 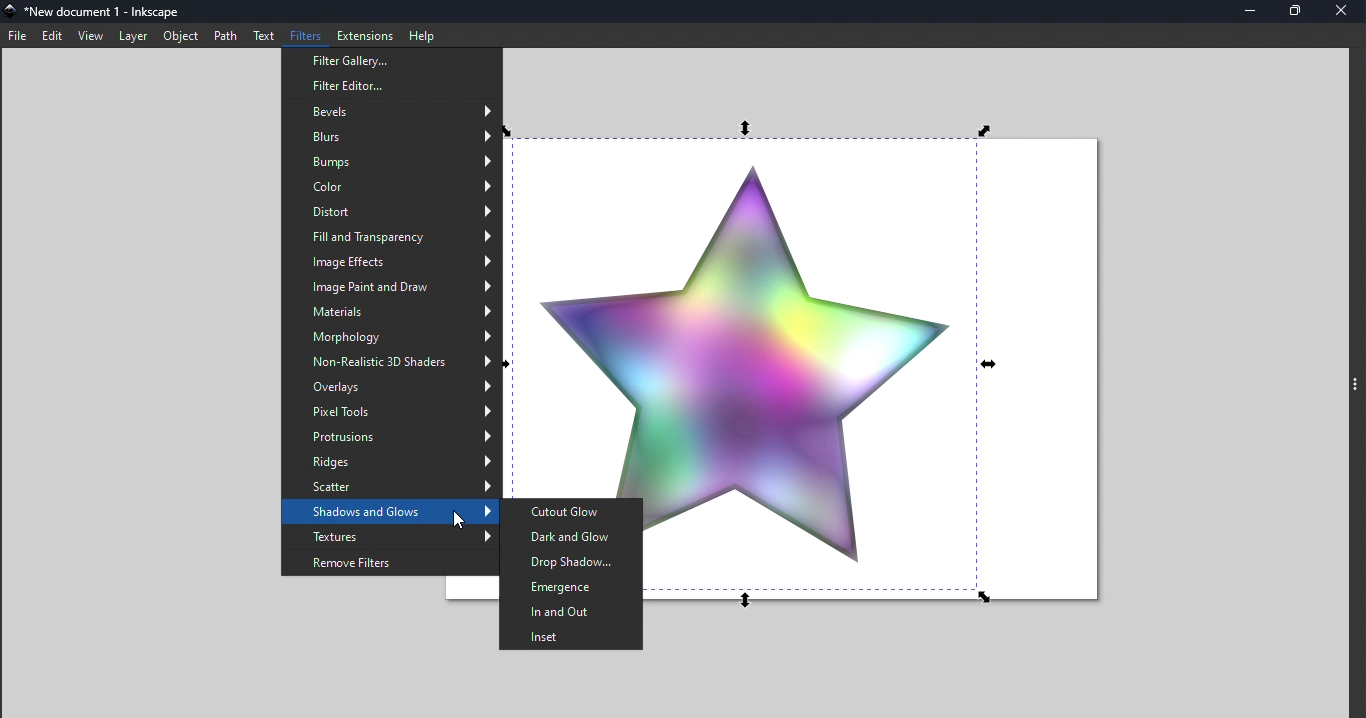 I want to click on Image effects, so click(x=392, y=263).